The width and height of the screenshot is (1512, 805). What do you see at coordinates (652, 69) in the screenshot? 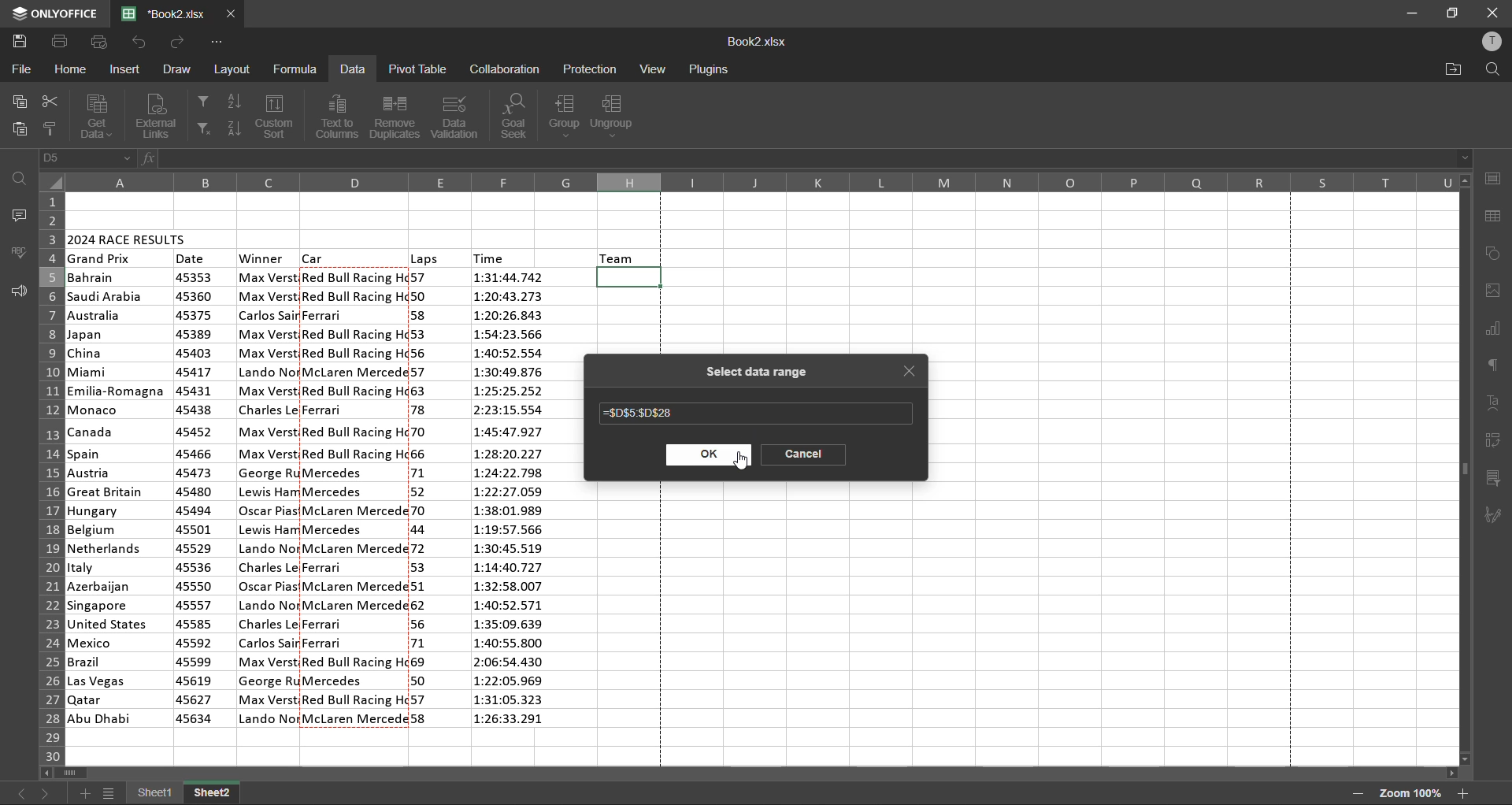
I see `view` at bounding box center [652, 69].